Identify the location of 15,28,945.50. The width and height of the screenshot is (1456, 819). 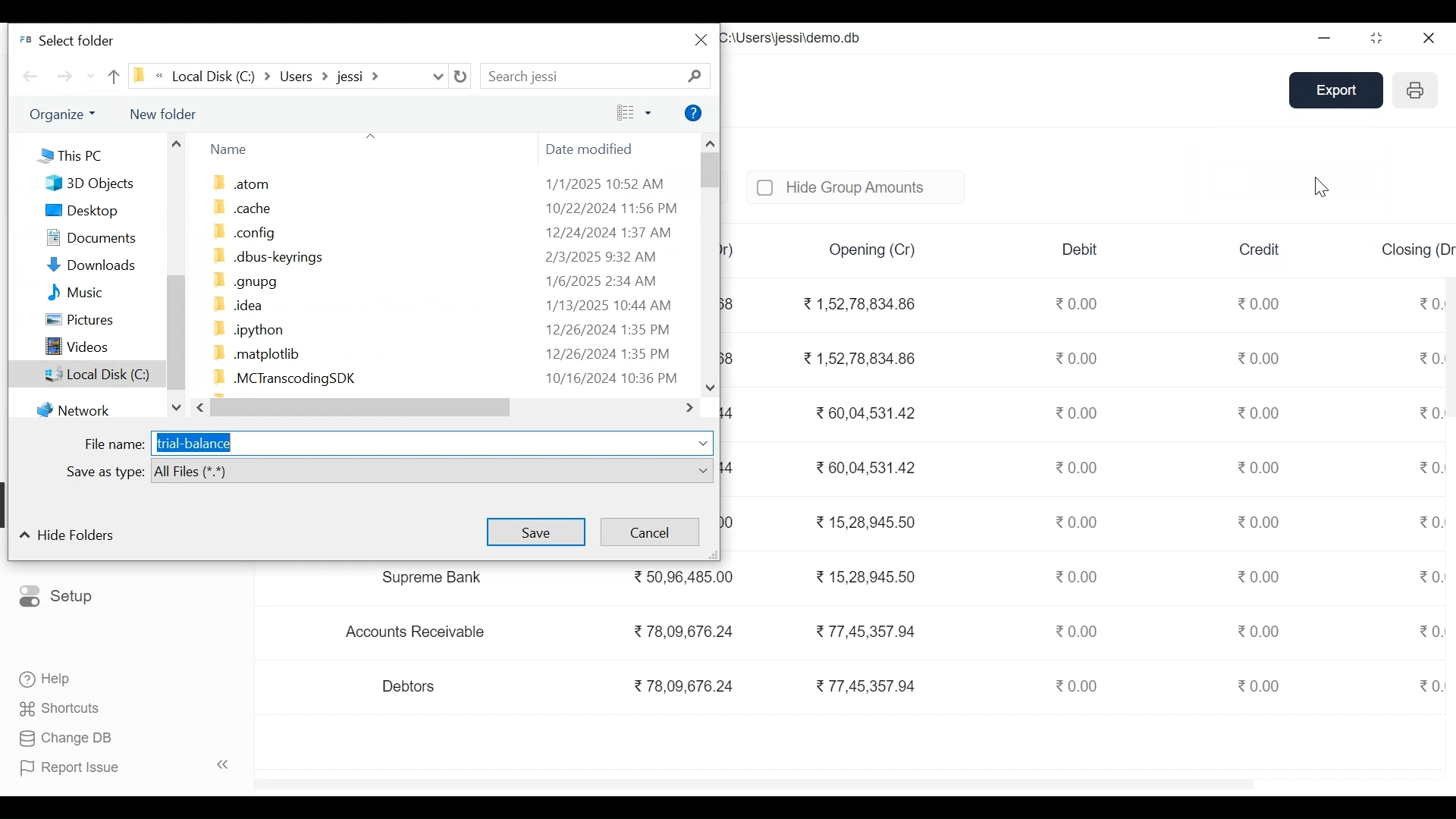
(868, 576).